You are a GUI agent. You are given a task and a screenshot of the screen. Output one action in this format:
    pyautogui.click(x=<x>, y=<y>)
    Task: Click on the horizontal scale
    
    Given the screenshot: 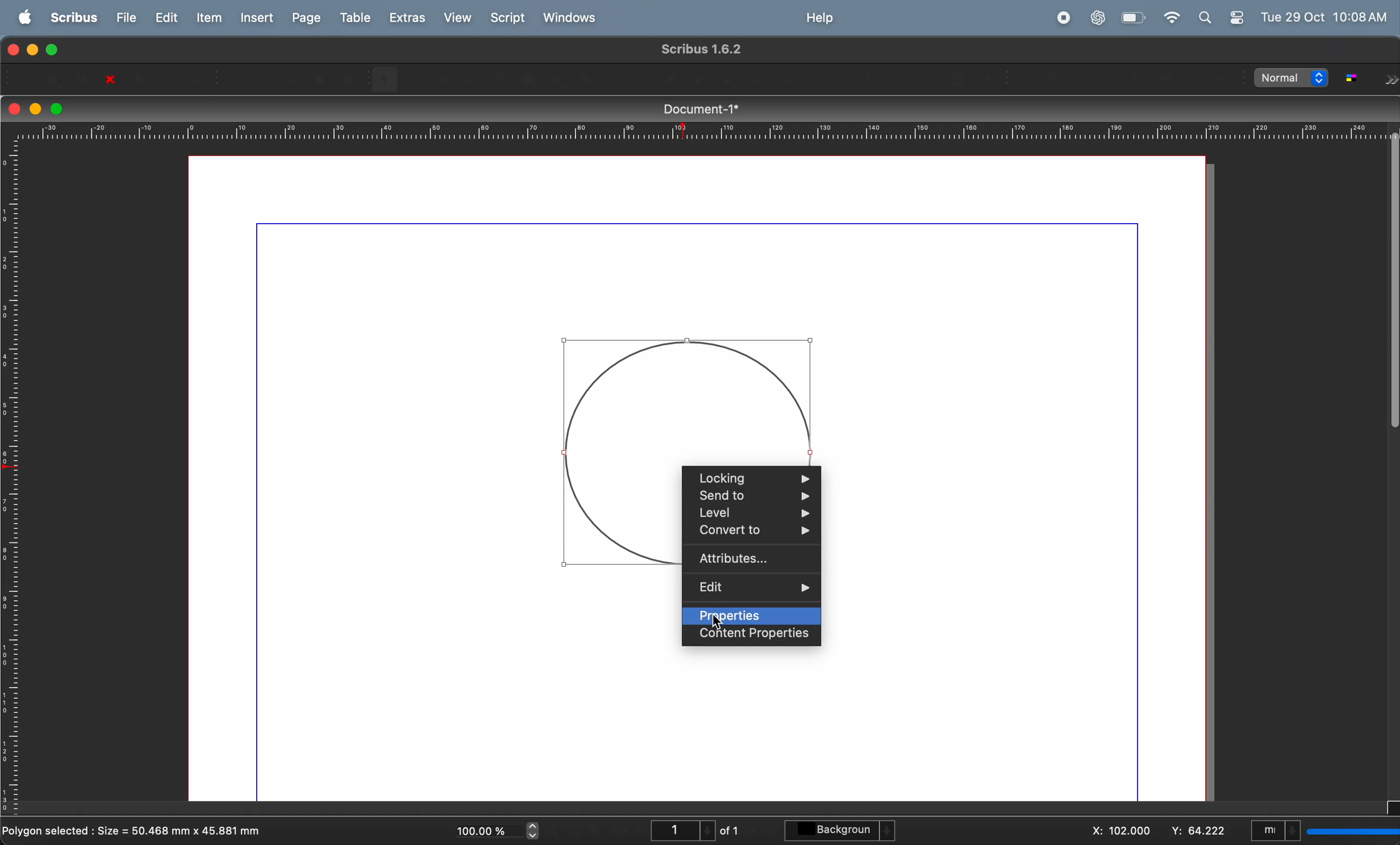 What is the action you would take?
    pyautogui.click(x=693, y=131)
    